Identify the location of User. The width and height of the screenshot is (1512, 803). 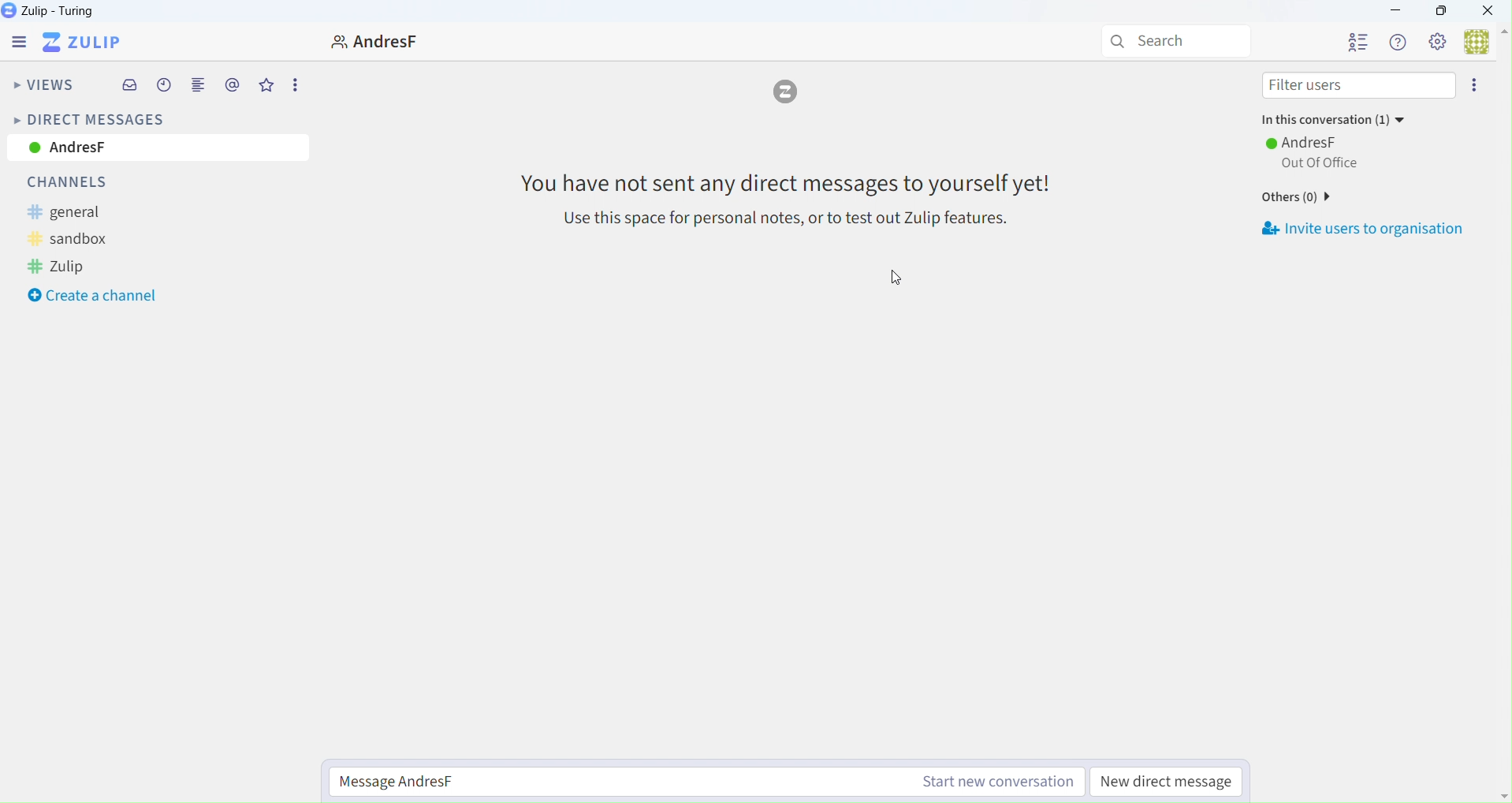
(1484, 47).